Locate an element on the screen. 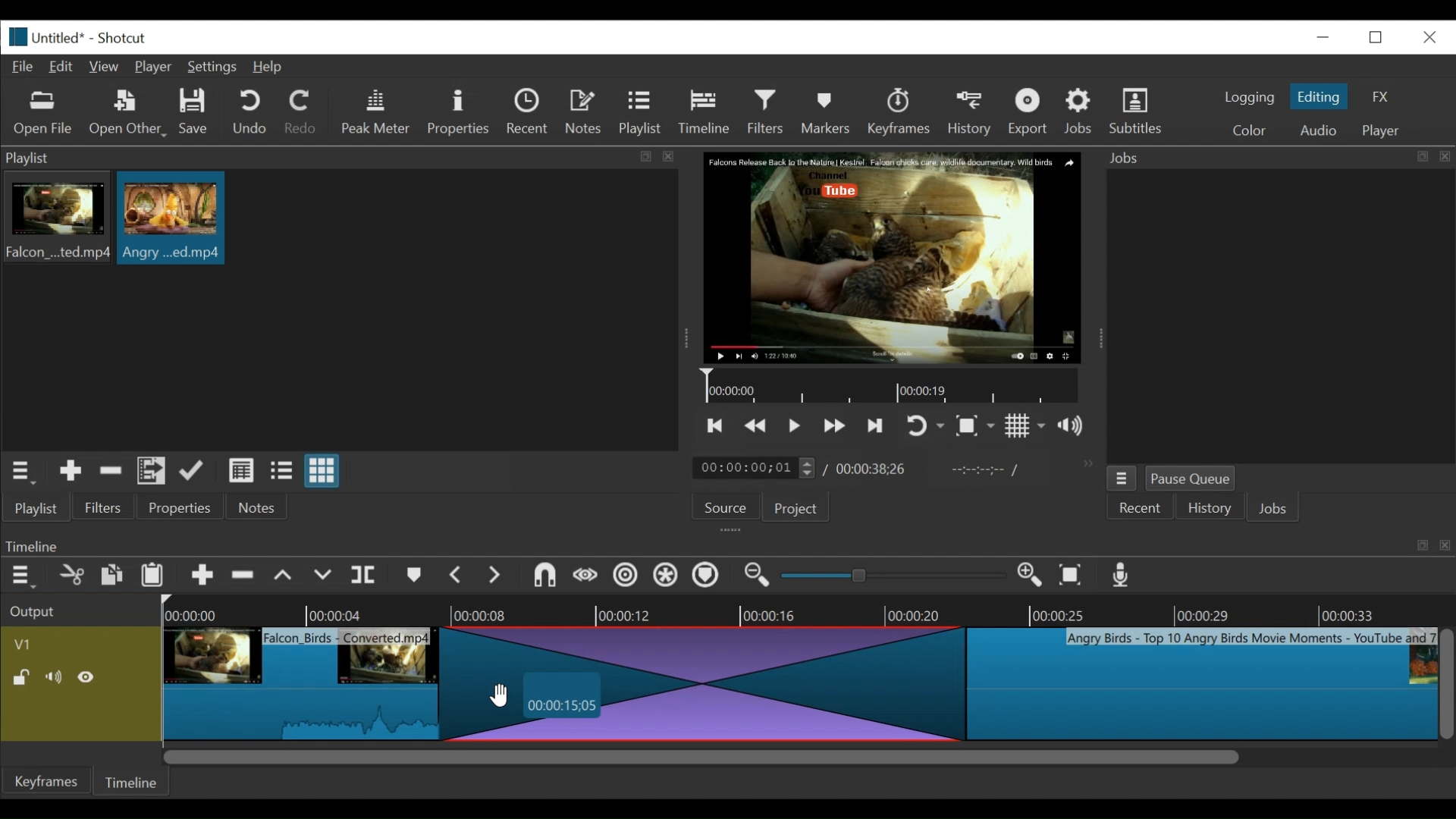  jobs menu is located at coordinates (1122, 476).